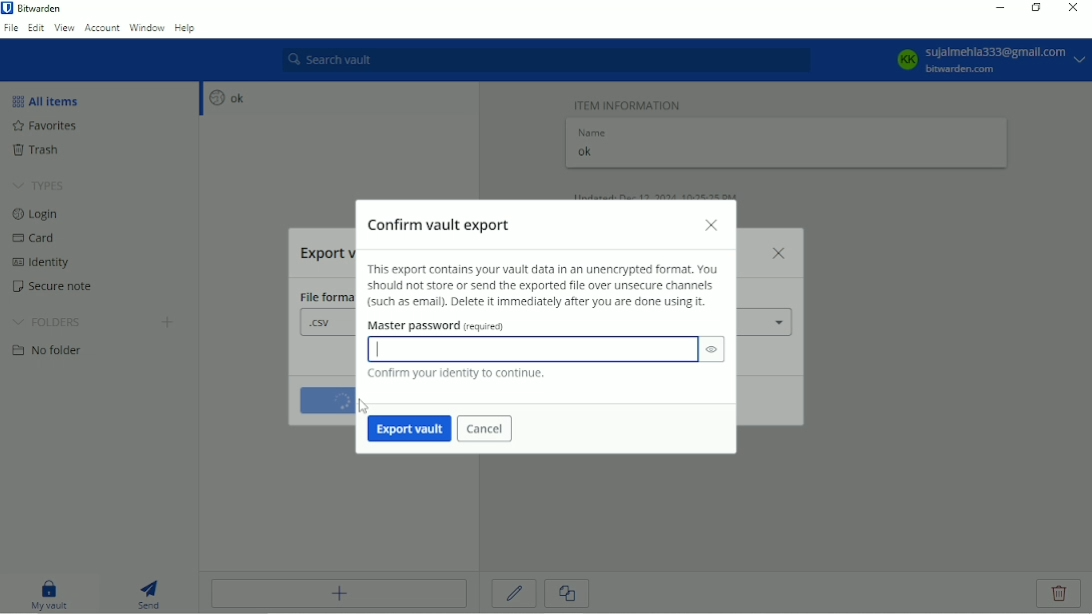 This screenshot has width=1092, height=614. I want to click on No folder, so click(52, 352).